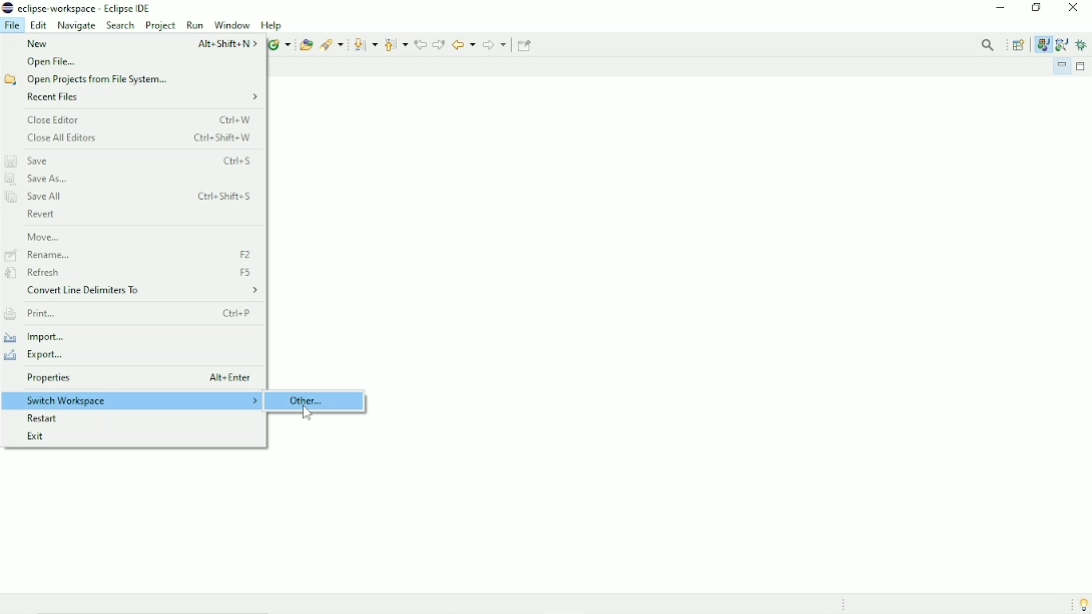  What do you see at coordinates (139, 43) in the screenshot?
I see `New` at bounding box center [139, 43].